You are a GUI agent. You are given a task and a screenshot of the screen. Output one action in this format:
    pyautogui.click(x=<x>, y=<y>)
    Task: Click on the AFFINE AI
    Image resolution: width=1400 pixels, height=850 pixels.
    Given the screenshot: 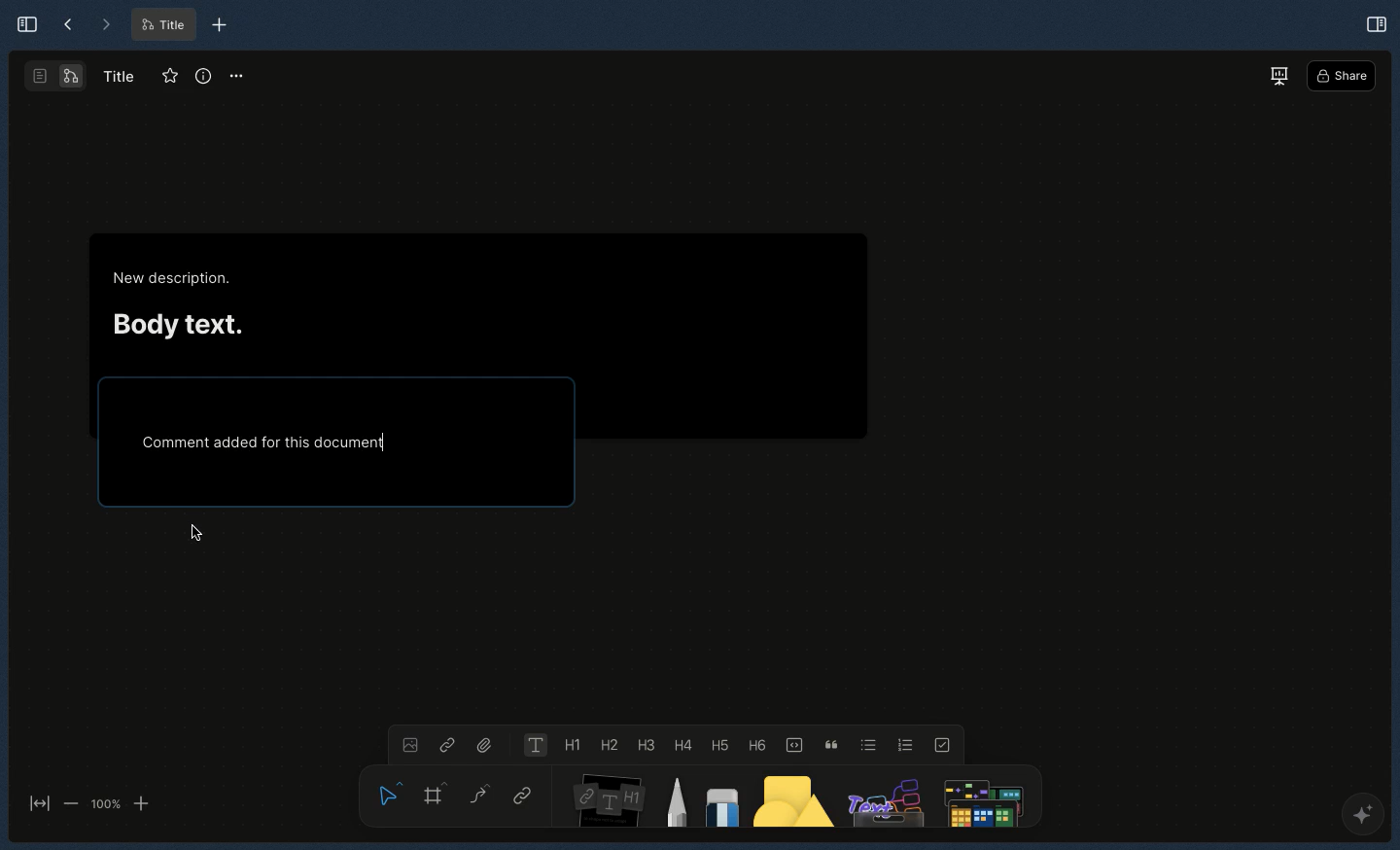 What is the action you would take?
    pyautogui.click(x=1359, y=818)
    